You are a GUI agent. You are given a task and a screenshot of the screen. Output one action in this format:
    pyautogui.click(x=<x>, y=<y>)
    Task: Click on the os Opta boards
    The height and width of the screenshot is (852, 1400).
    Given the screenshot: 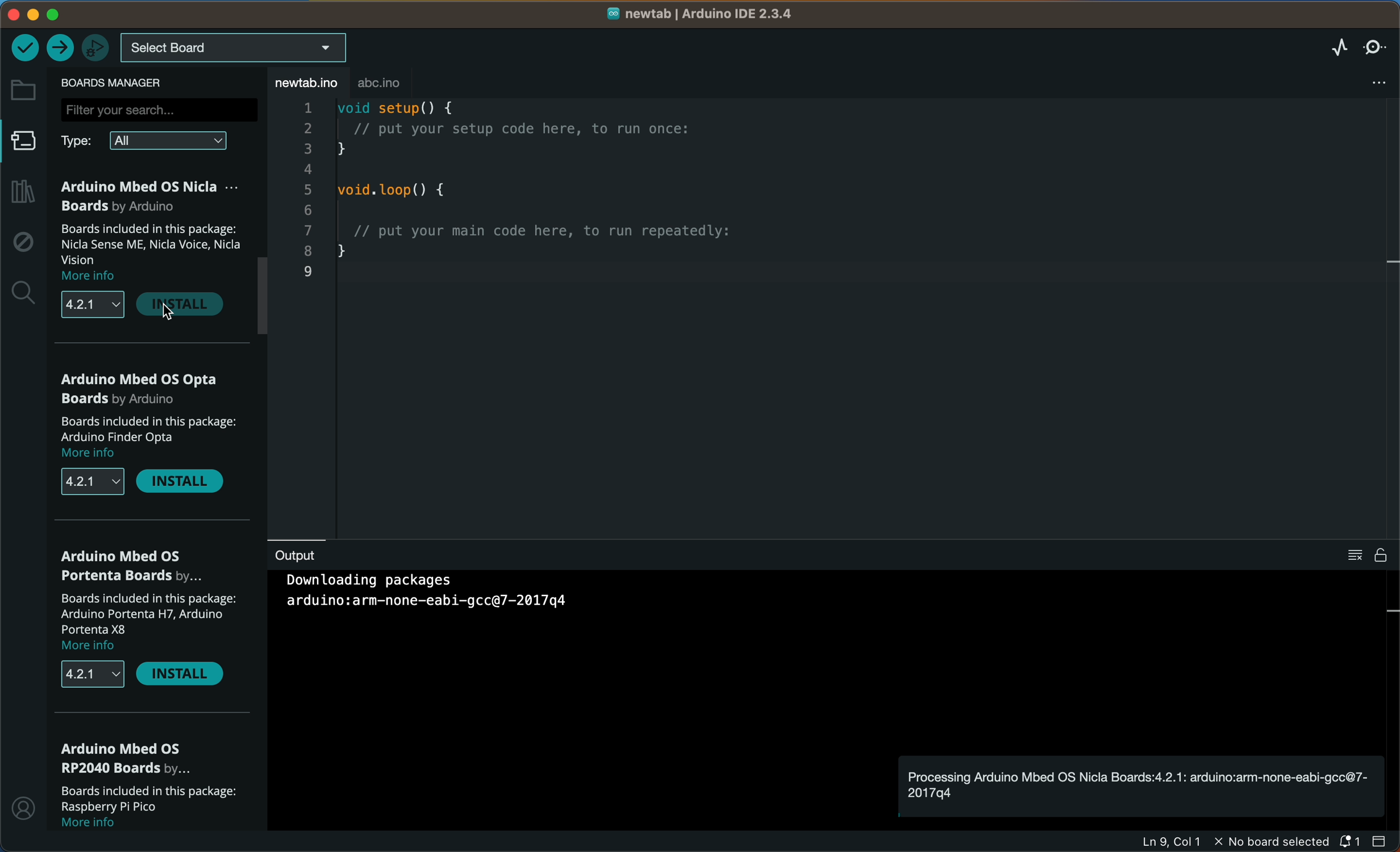 What is the action you would take?
    pyautogui.click(x=141, y=389)
    